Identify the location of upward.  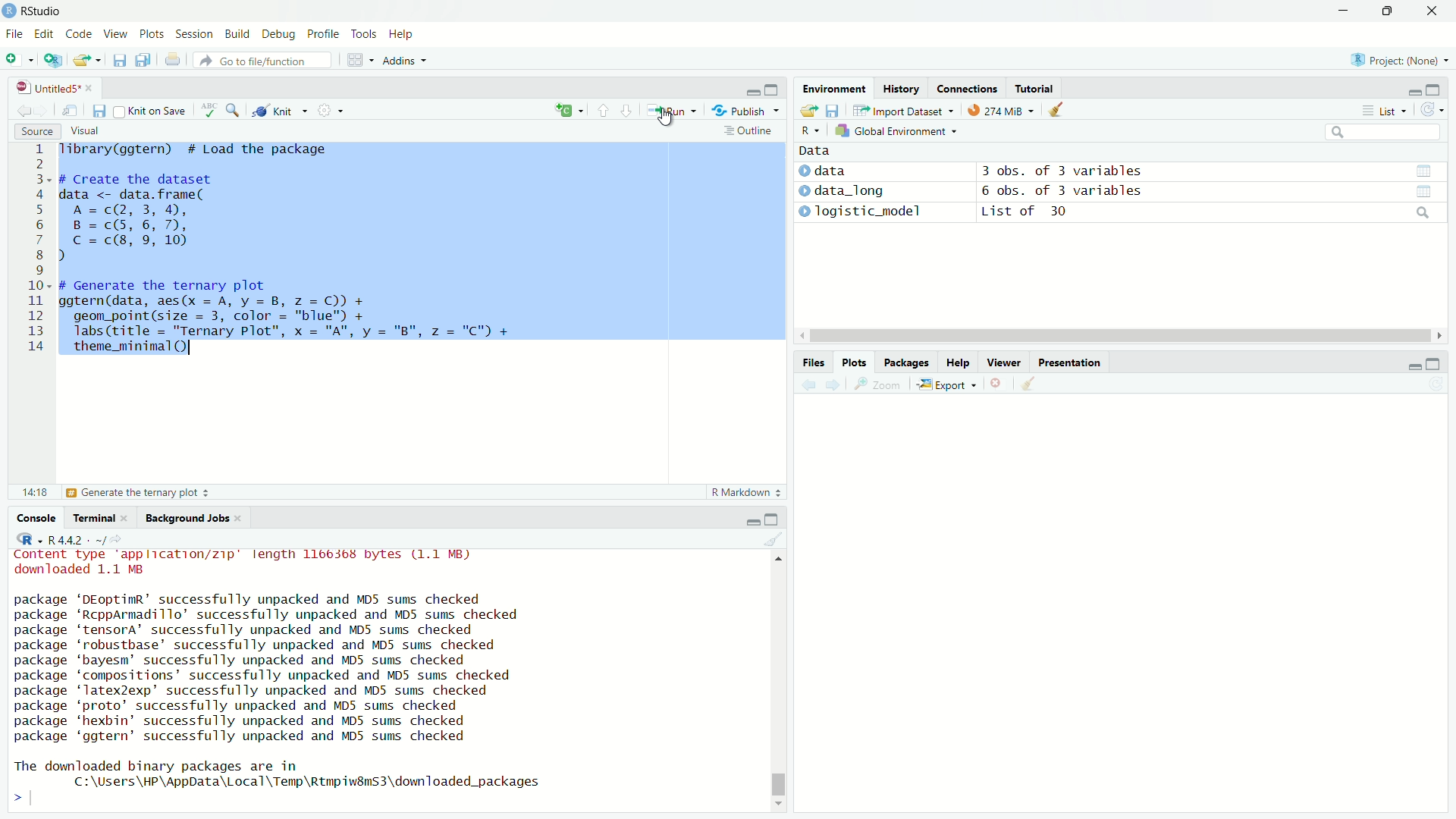
(604, 111).